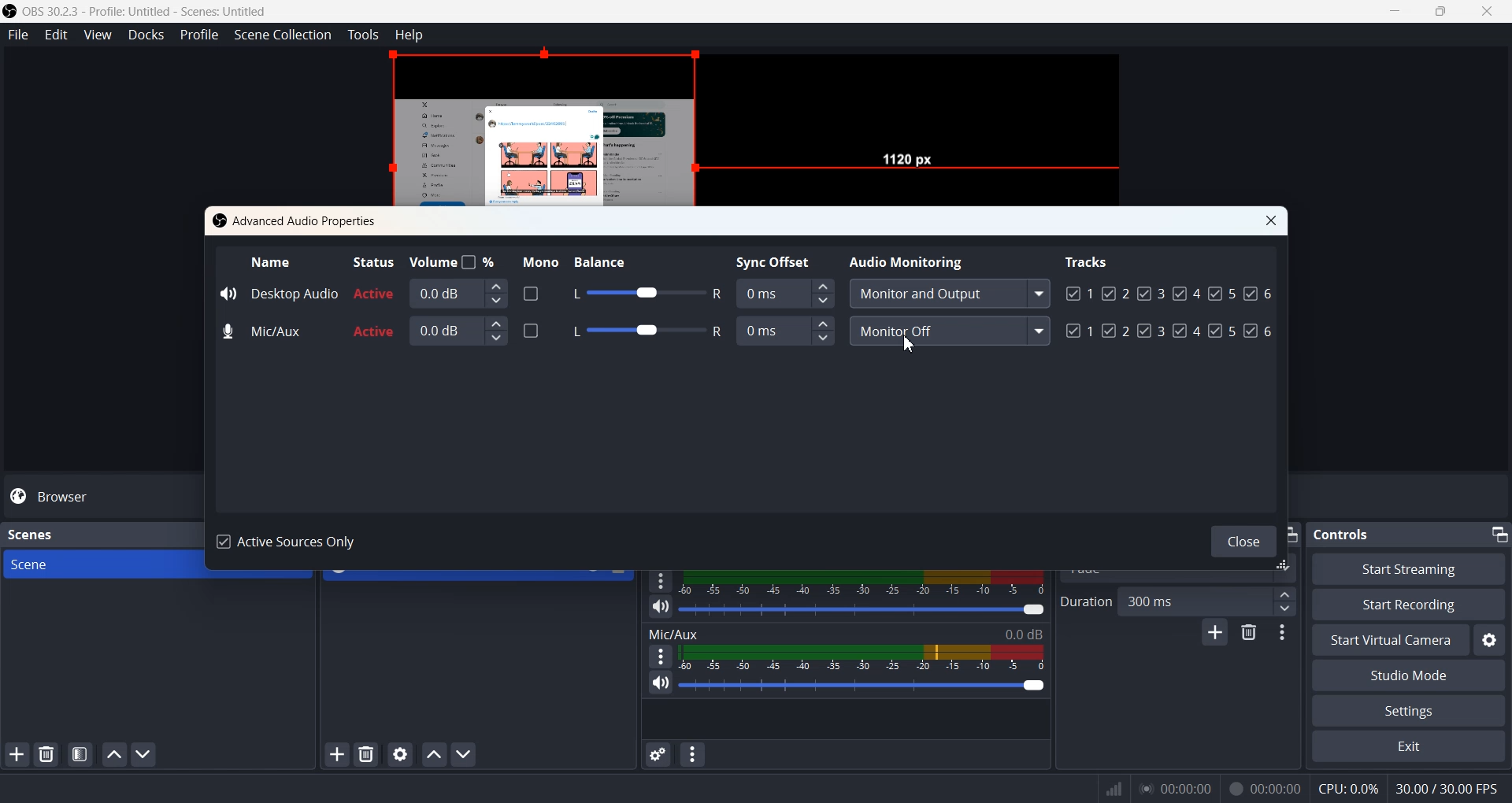  What do you see at coordinates (337, 753) in the screenshot?
I see `Add Sources` at bounding box center [337, 753].